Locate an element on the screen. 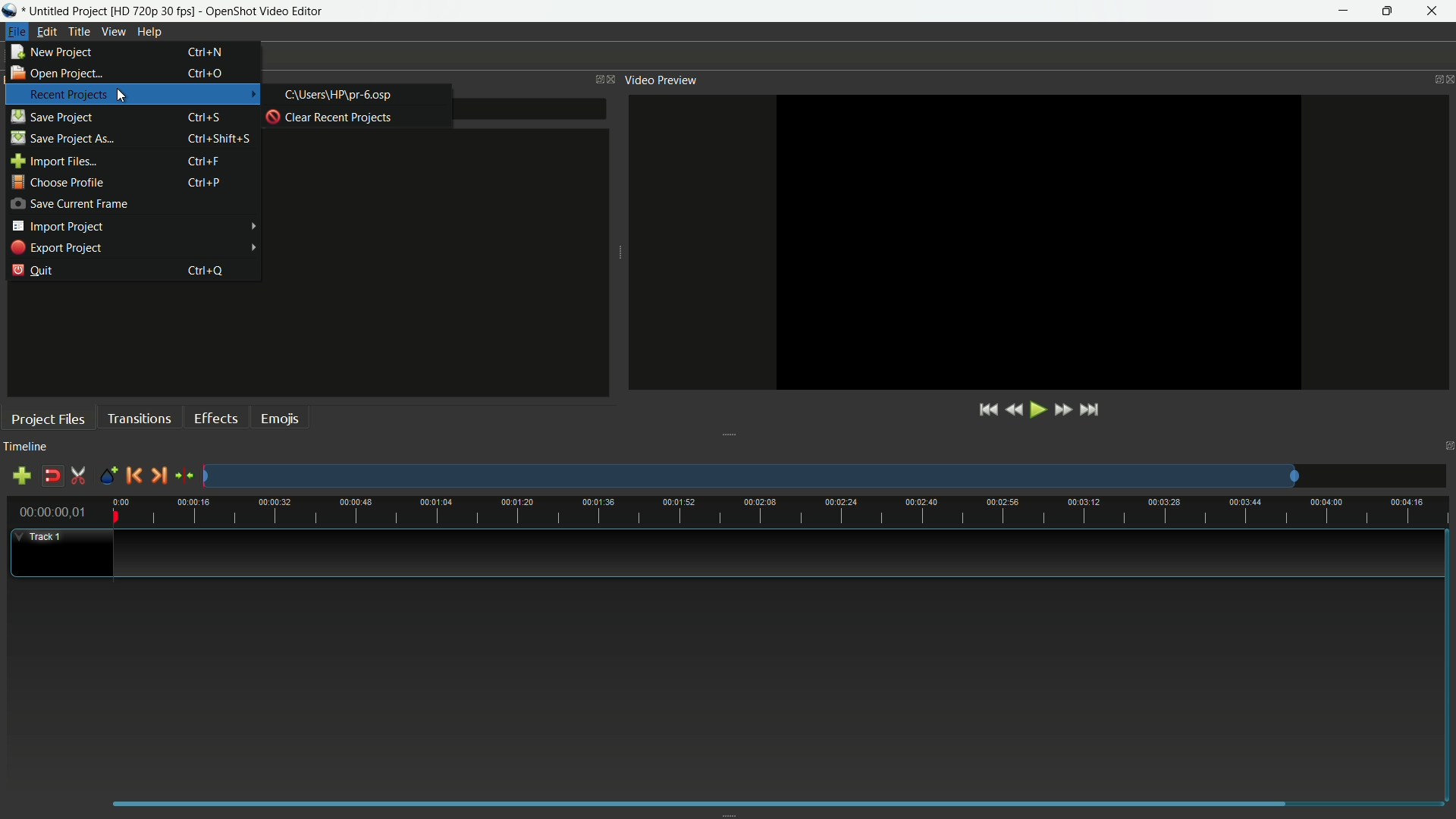 Image resolution: width=1456 pixels, height=819 pixels. open project is located at coordinates (55, 72).